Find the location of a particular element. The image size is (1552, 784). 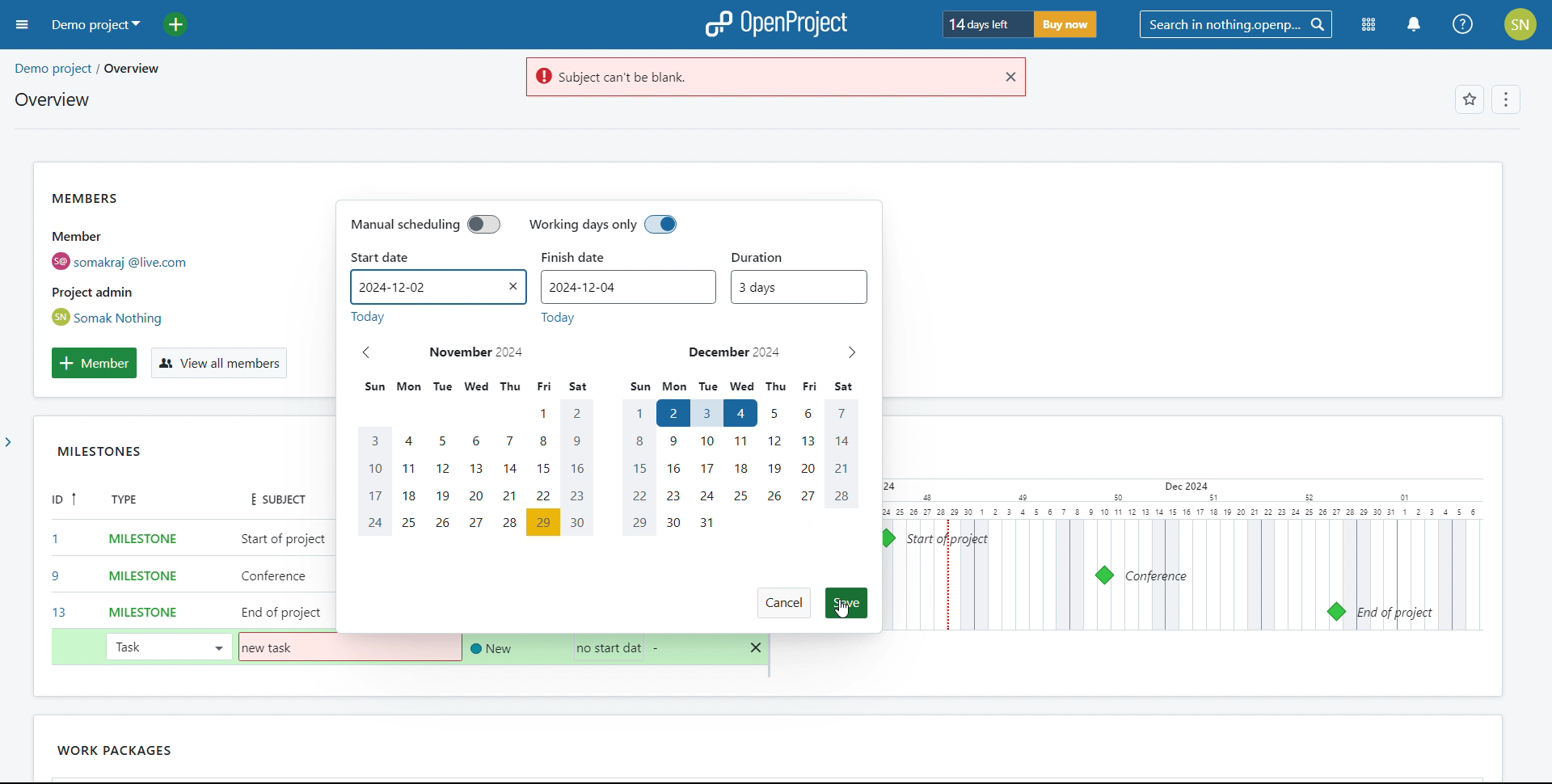

start date selected is located at coordinates (673, 413).